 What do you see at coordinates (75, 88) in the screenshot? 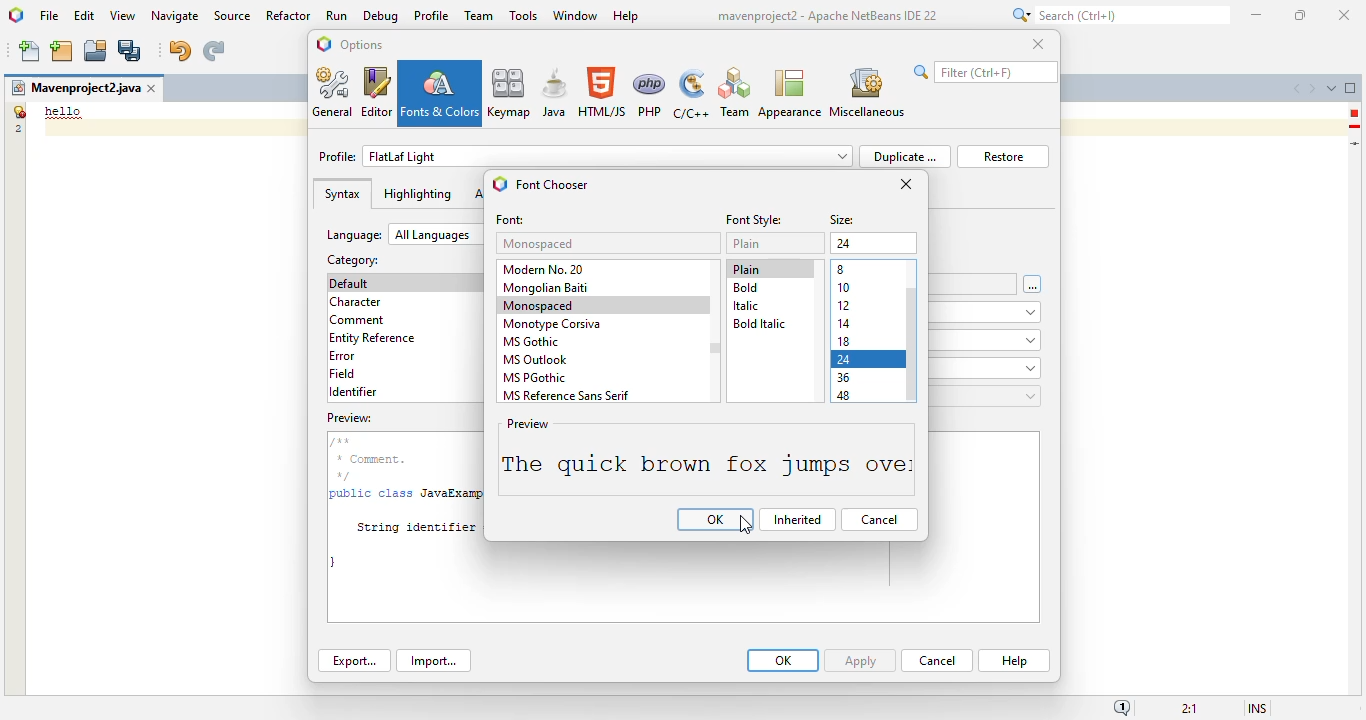
I see `project name` at bounding box center [75, 88].